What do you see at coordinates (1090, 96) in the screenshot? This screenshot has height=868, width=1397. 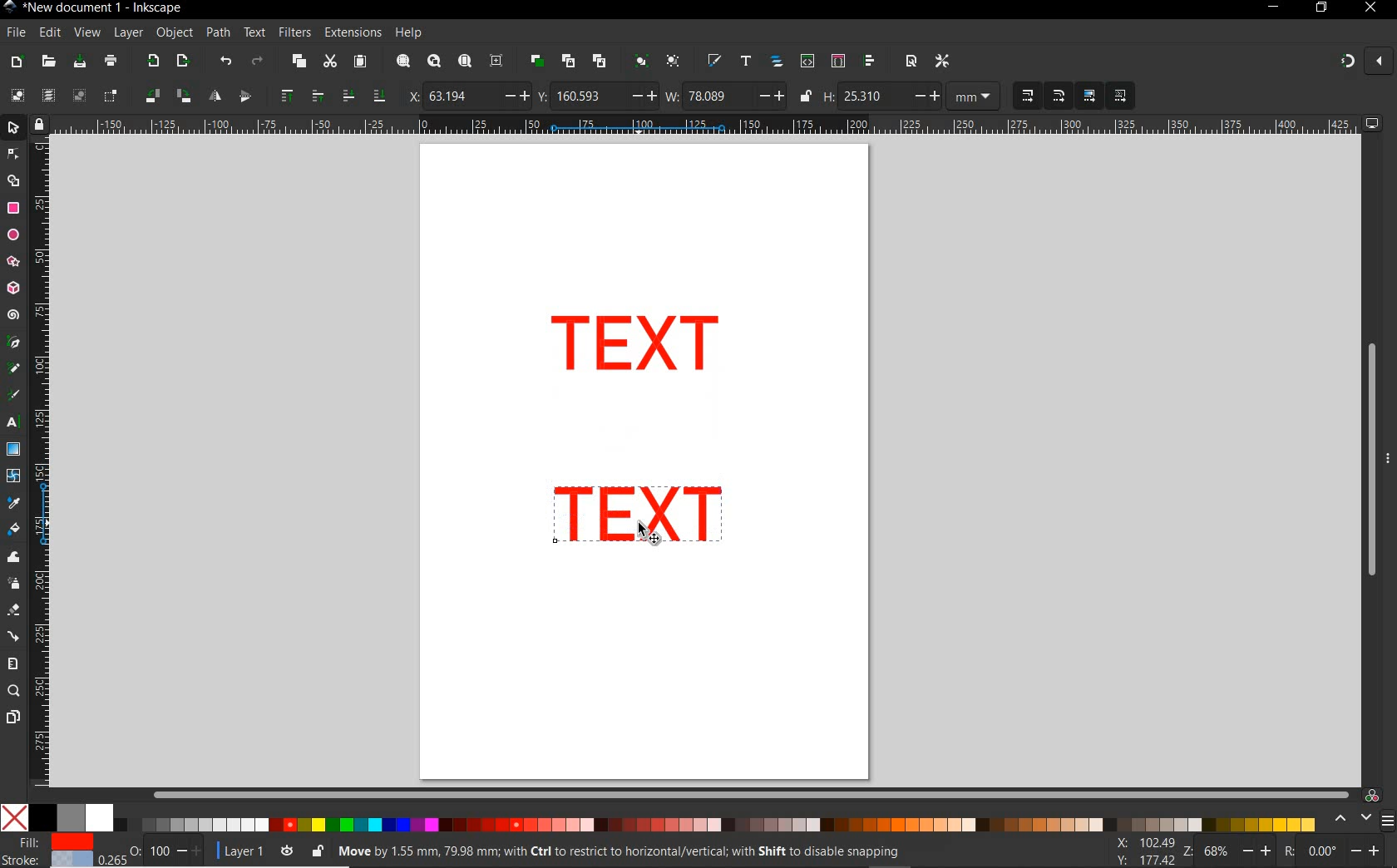 I see `MOVE GRADIENT` at bounding box center [1090, 96].